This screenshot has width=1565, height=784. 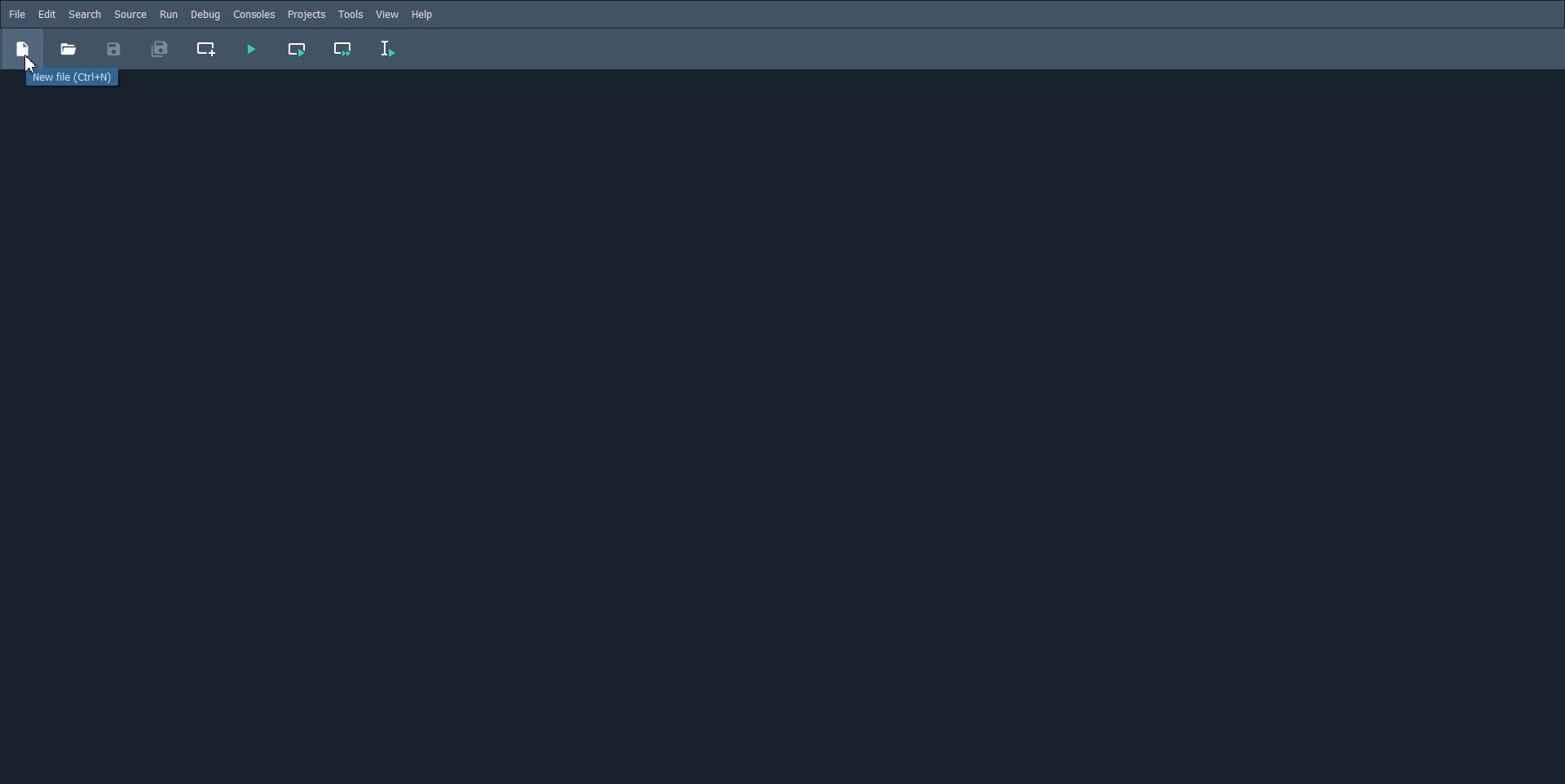 What do you see at coordinates (388, 49) in the screenshot?
I see `Run Selection` at bounding box center [388, 49].